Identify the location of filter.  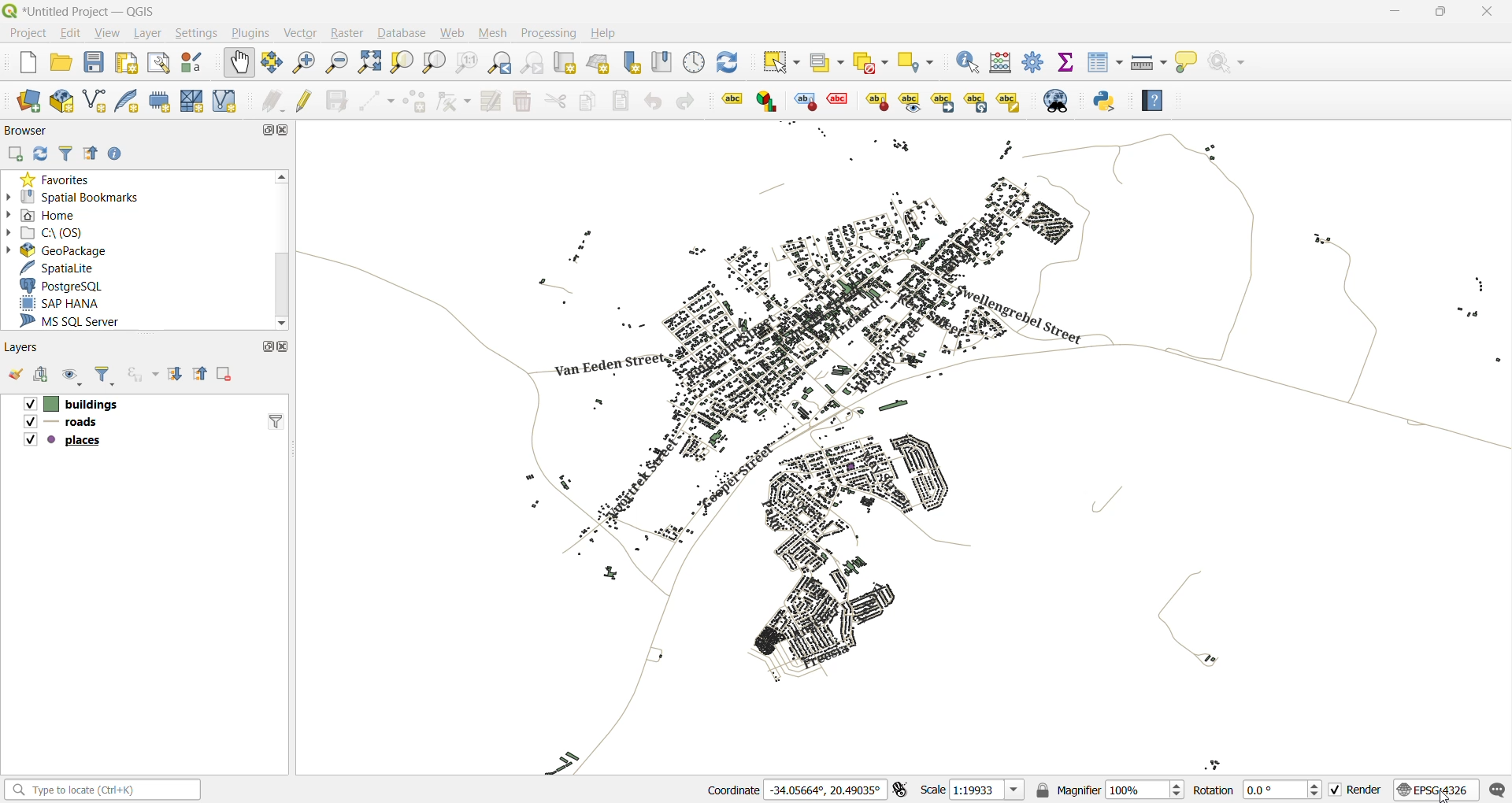
(106, 376).